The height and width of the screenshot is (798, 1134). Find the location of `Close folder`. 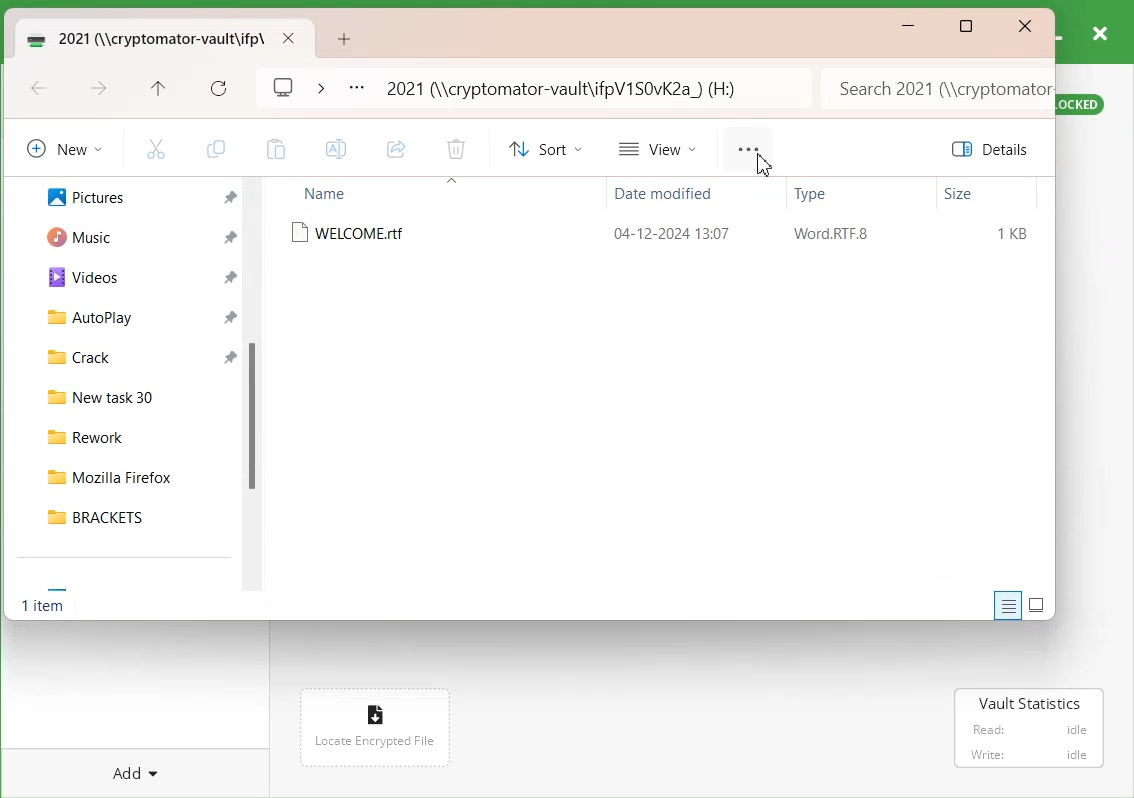

Close folder is located at coordinates (288, 37).